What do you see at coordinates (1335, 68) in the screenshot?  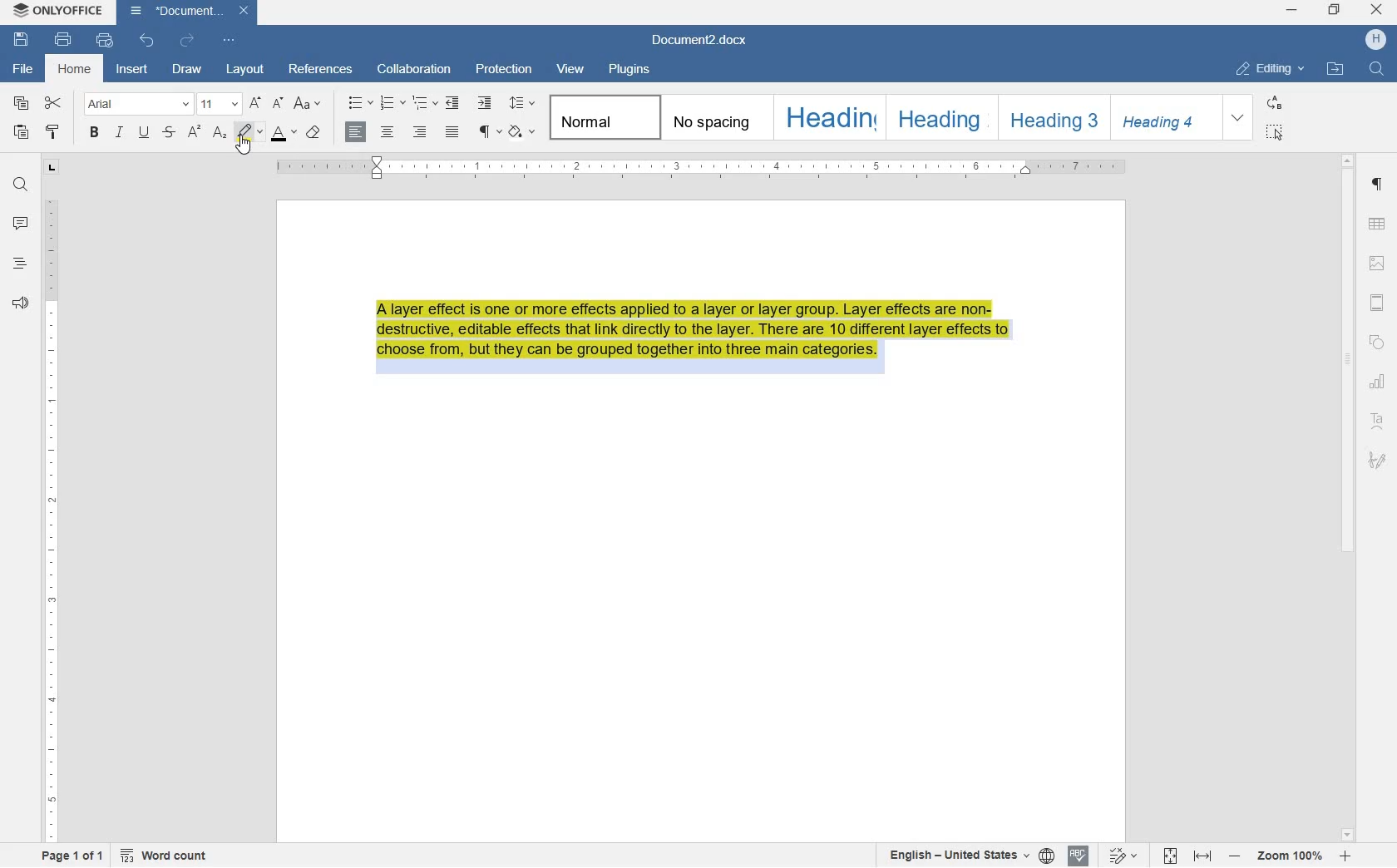 I see `open file location` at bounding box center [1335, 68].